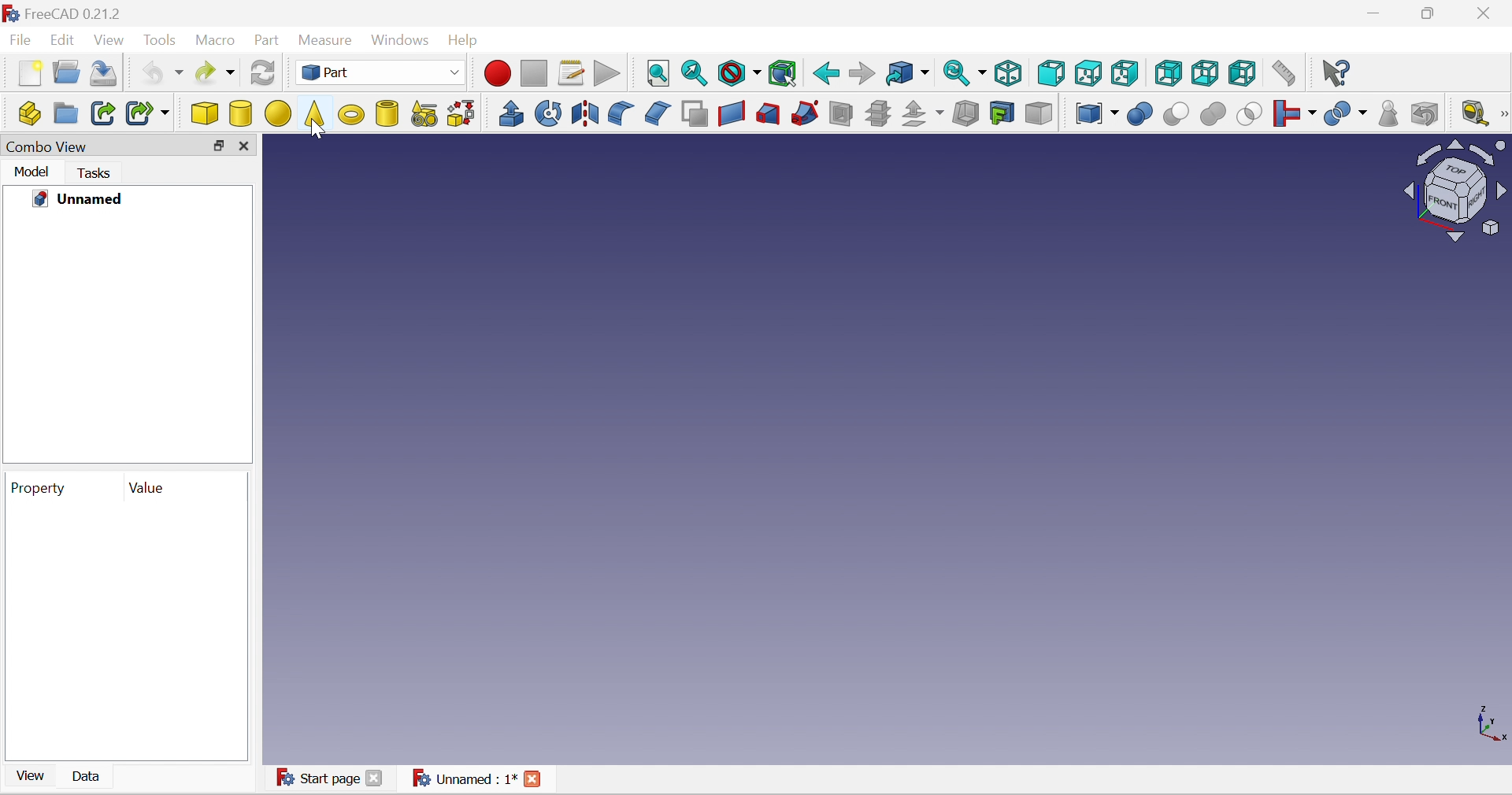  I want to click on New, so click(28, 72).